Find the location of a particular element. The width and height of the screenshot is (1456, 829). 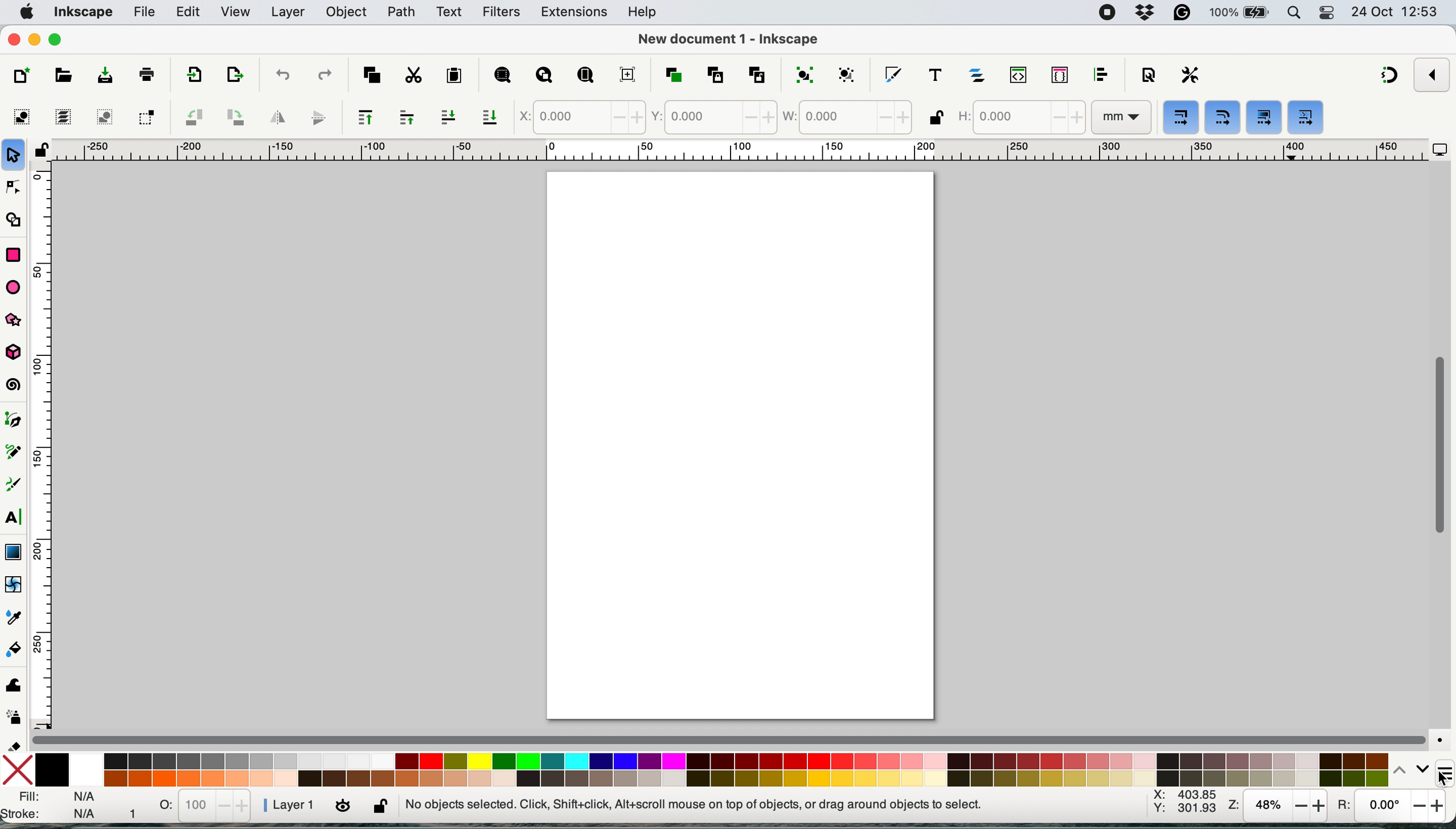

shape builder tool is located at coordinates (18, 220).